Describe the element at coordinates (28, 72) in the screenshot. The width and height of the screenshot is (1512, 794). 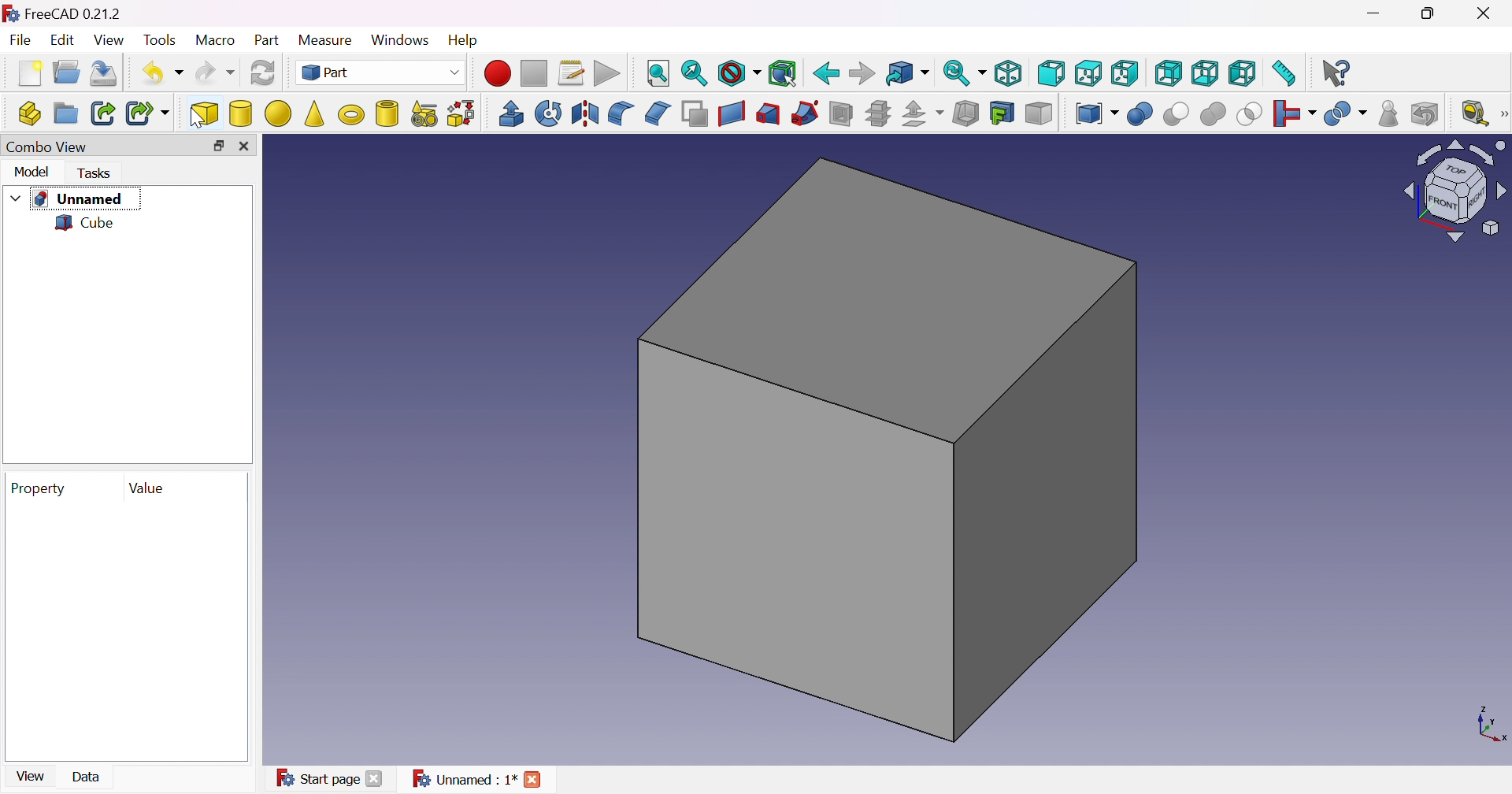
I see `New` at that location.